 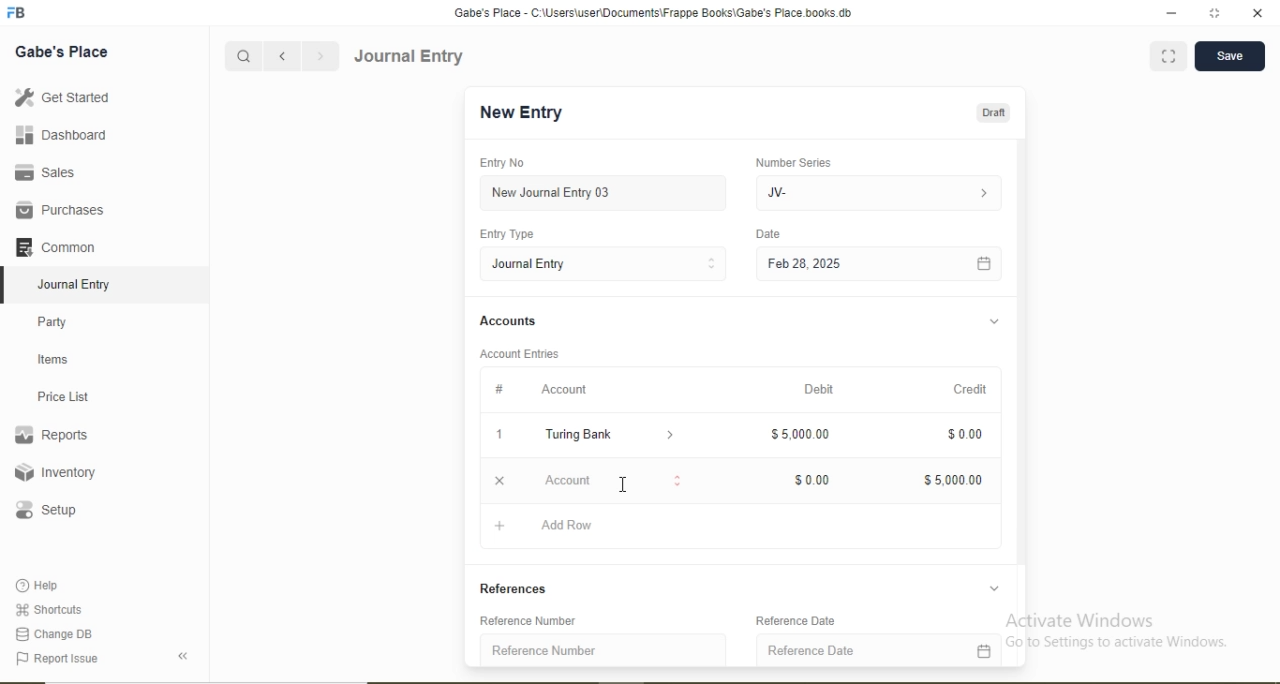 What do you see at coordinates (518, 354) in the screenshot?
I see `Account Entries` at bounding box center [518, 354].